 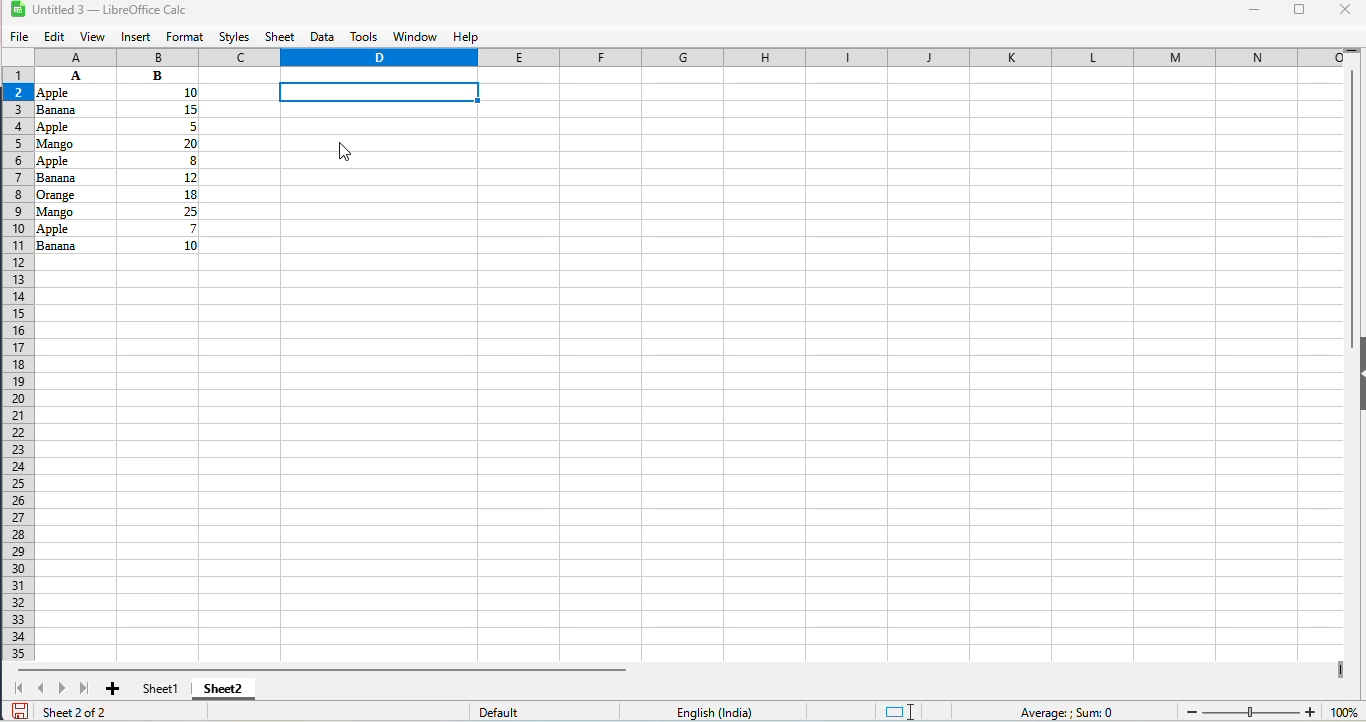 I want to click on close, so click(x=1345, y=8).